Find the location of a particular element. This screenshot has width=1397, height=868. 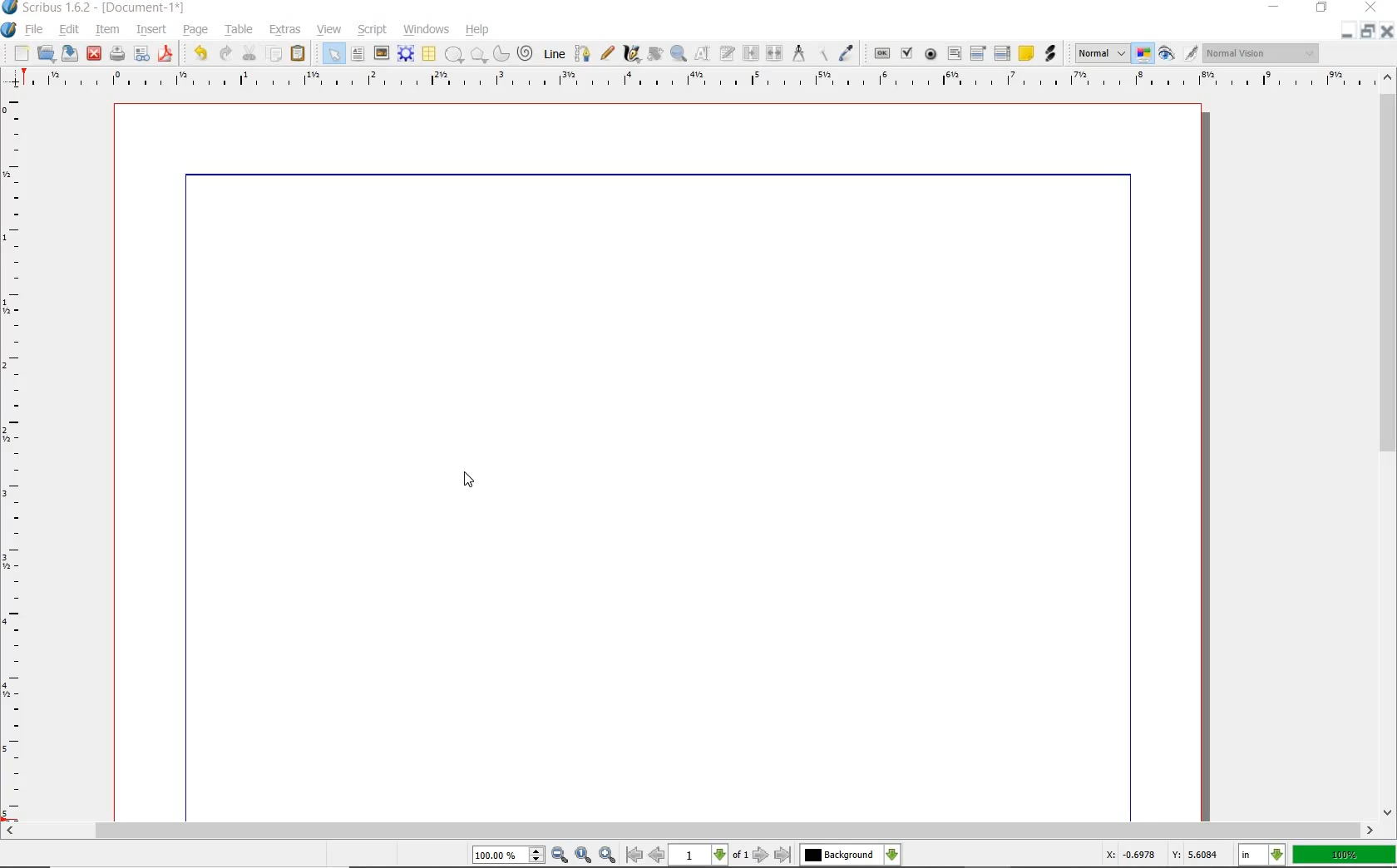

ROTATE ITEM is located at coordinates (654, 52).